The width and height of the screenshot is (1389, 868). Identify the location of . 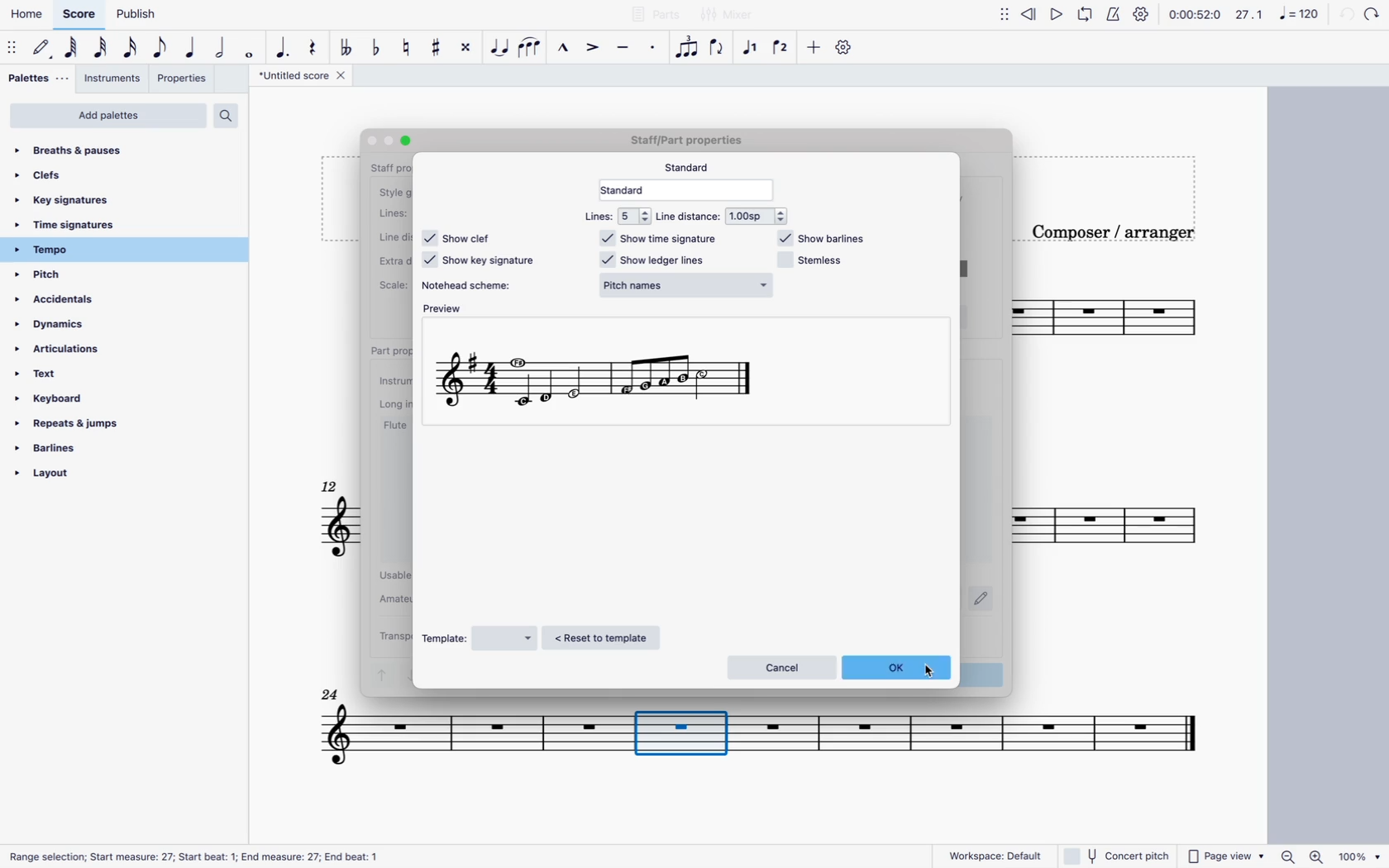
(330, 694).